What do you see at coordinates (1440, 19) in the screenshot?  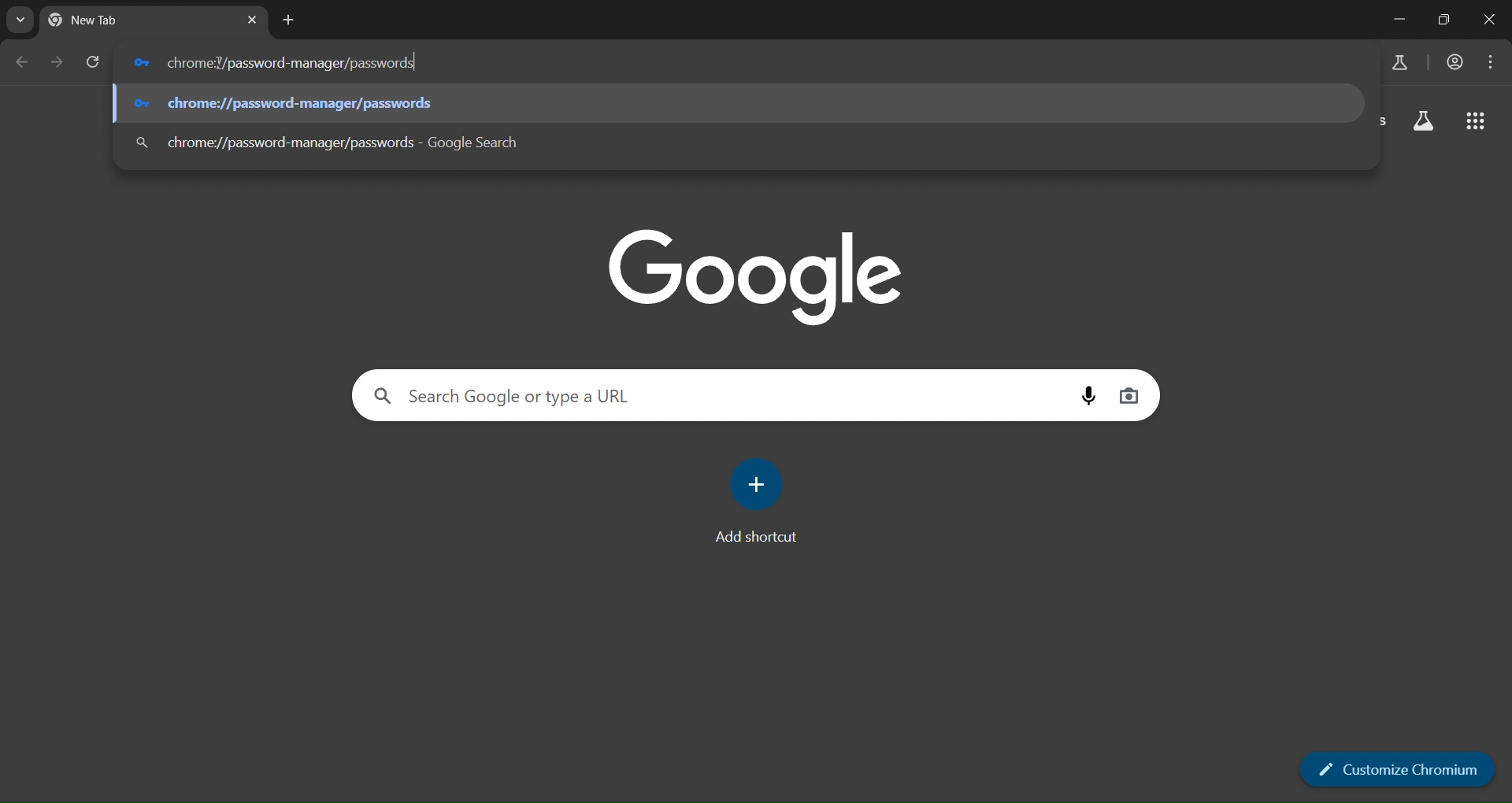 I see `restore down` at bounding box center [1440, 19].